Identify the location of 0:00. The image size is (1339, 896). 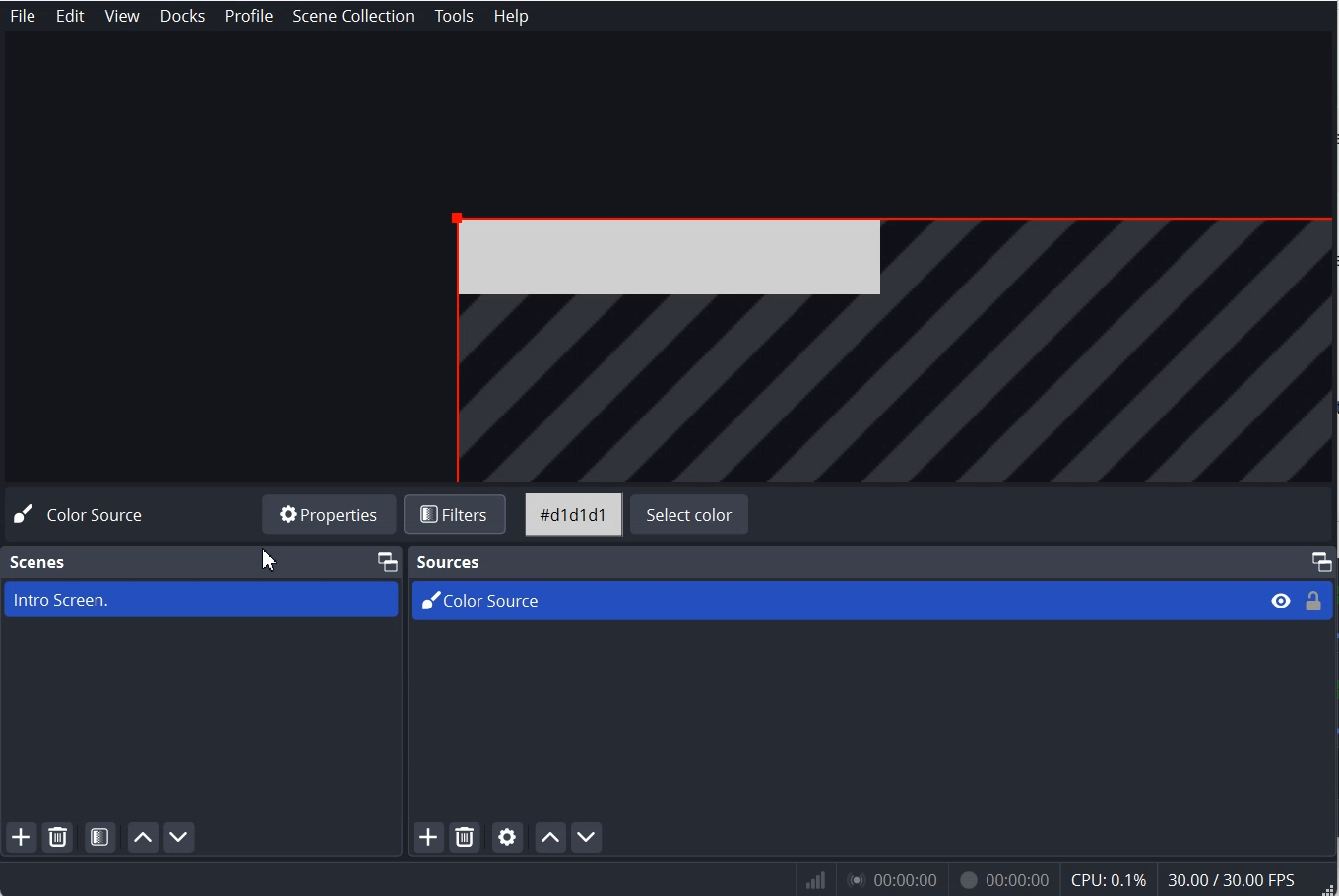
(890, 882).